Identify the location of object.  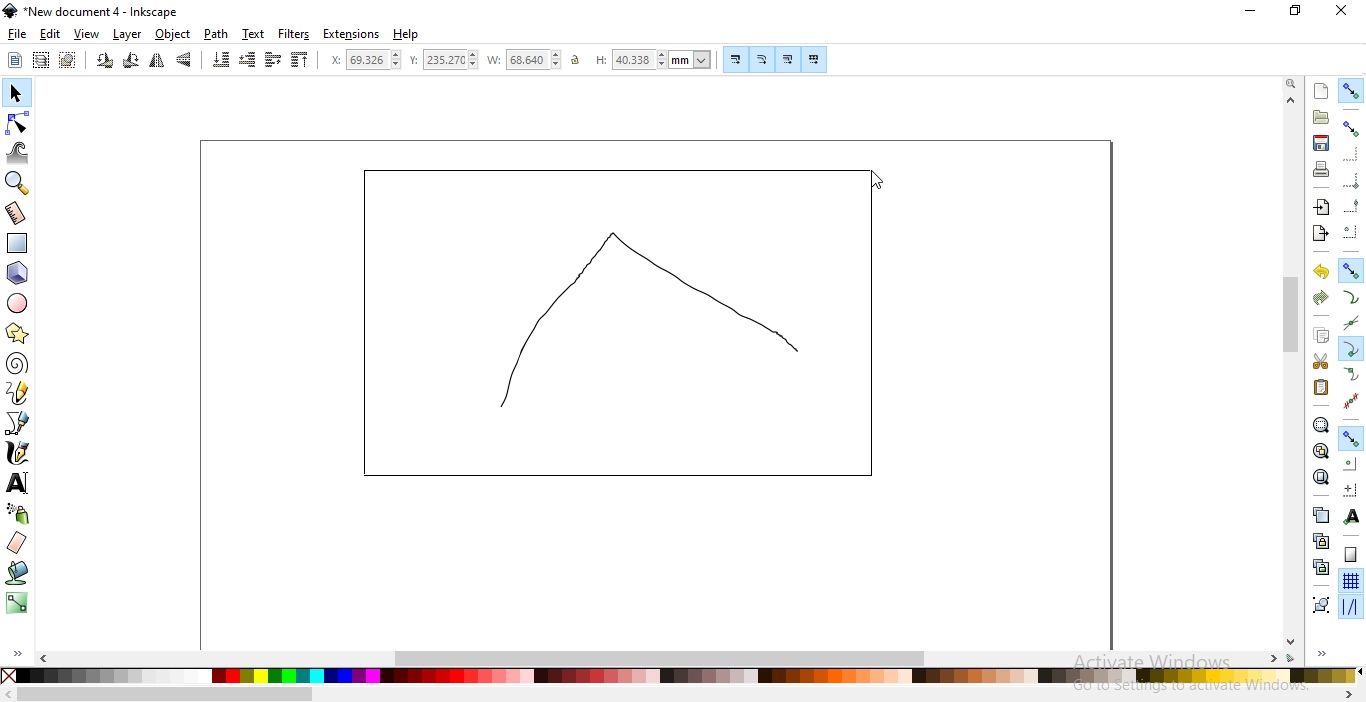
(173, 34).